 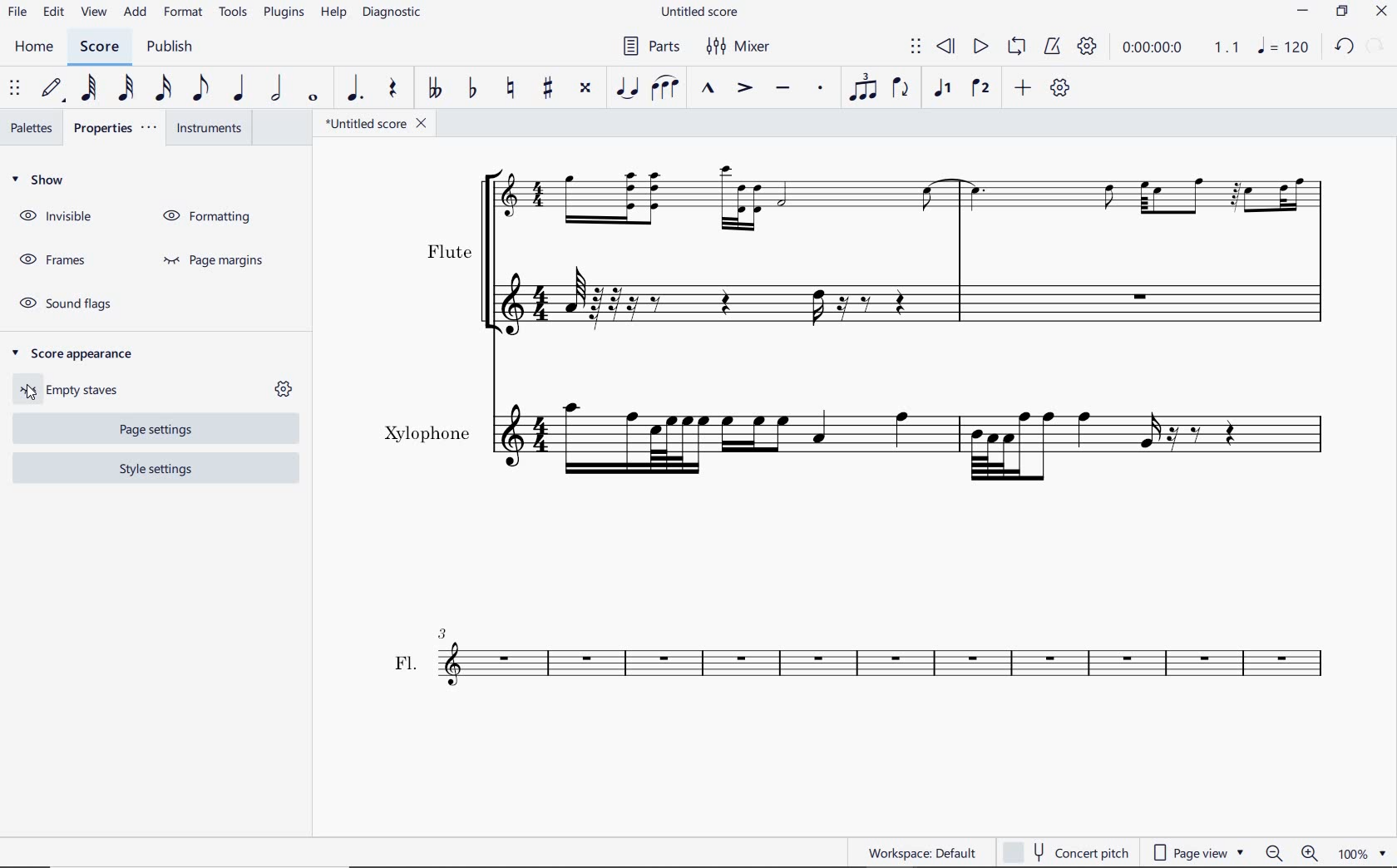 I want to click on STYLE SETTINGS, so click(x=154, y=470).